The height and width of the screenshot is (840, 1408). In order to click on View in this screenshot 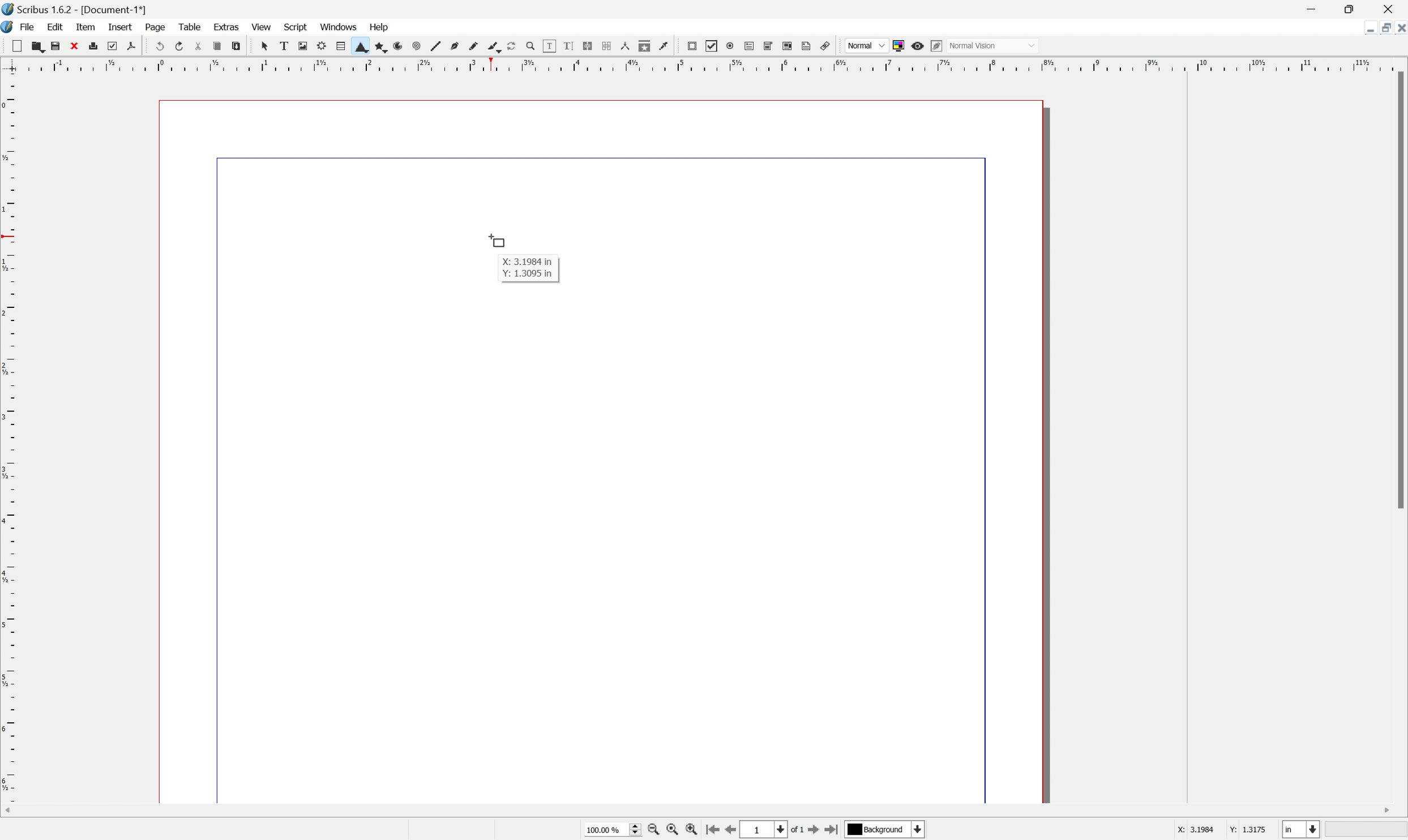, I will do `click(263, 27)`.